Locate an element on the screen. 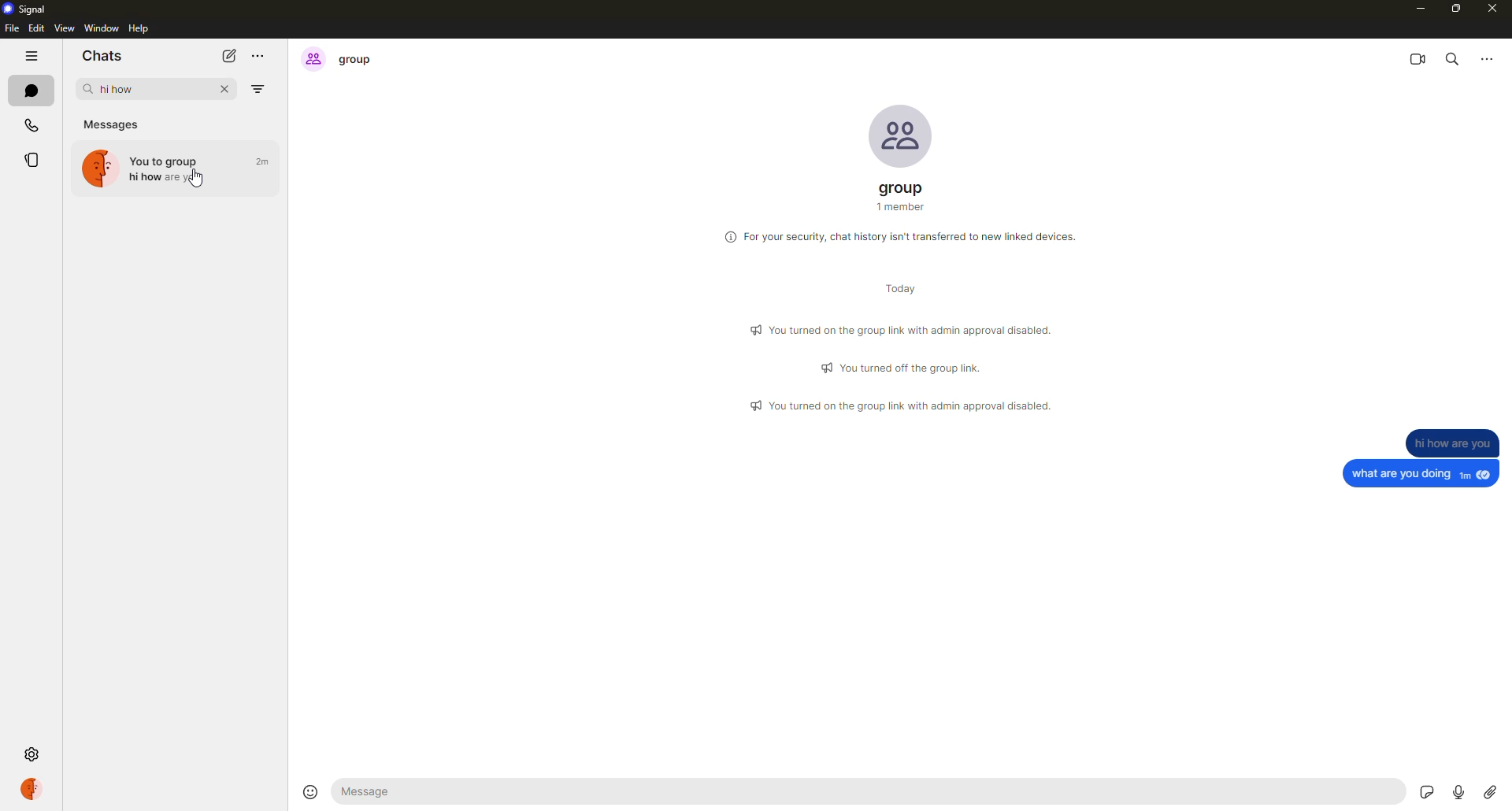  chats is located at coordinates (101, 57).